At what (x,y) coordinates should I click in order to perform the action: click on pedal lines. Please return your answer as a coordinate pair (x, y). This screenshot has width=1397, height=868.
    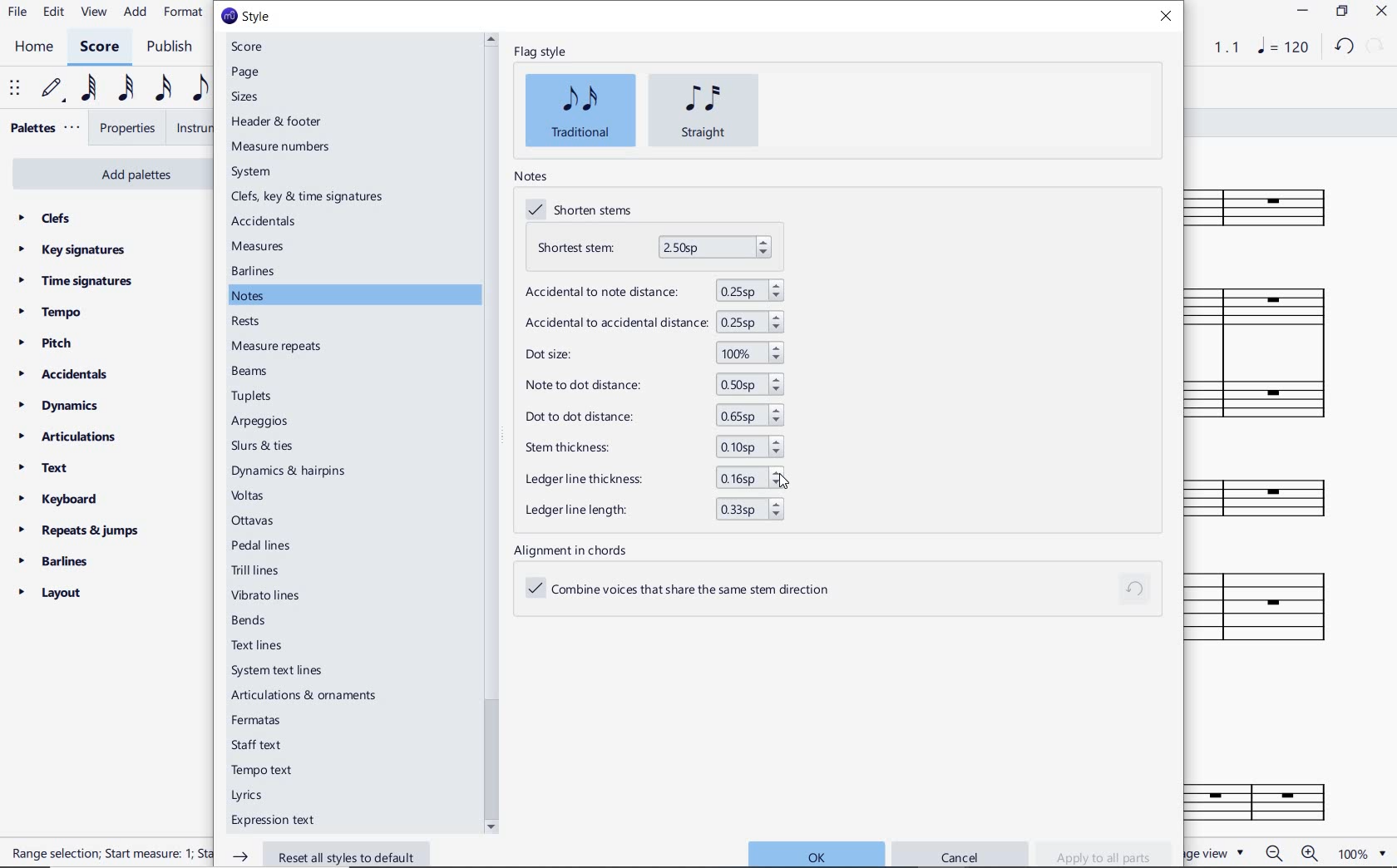
    Looking at the image, I should click on (266, 545).